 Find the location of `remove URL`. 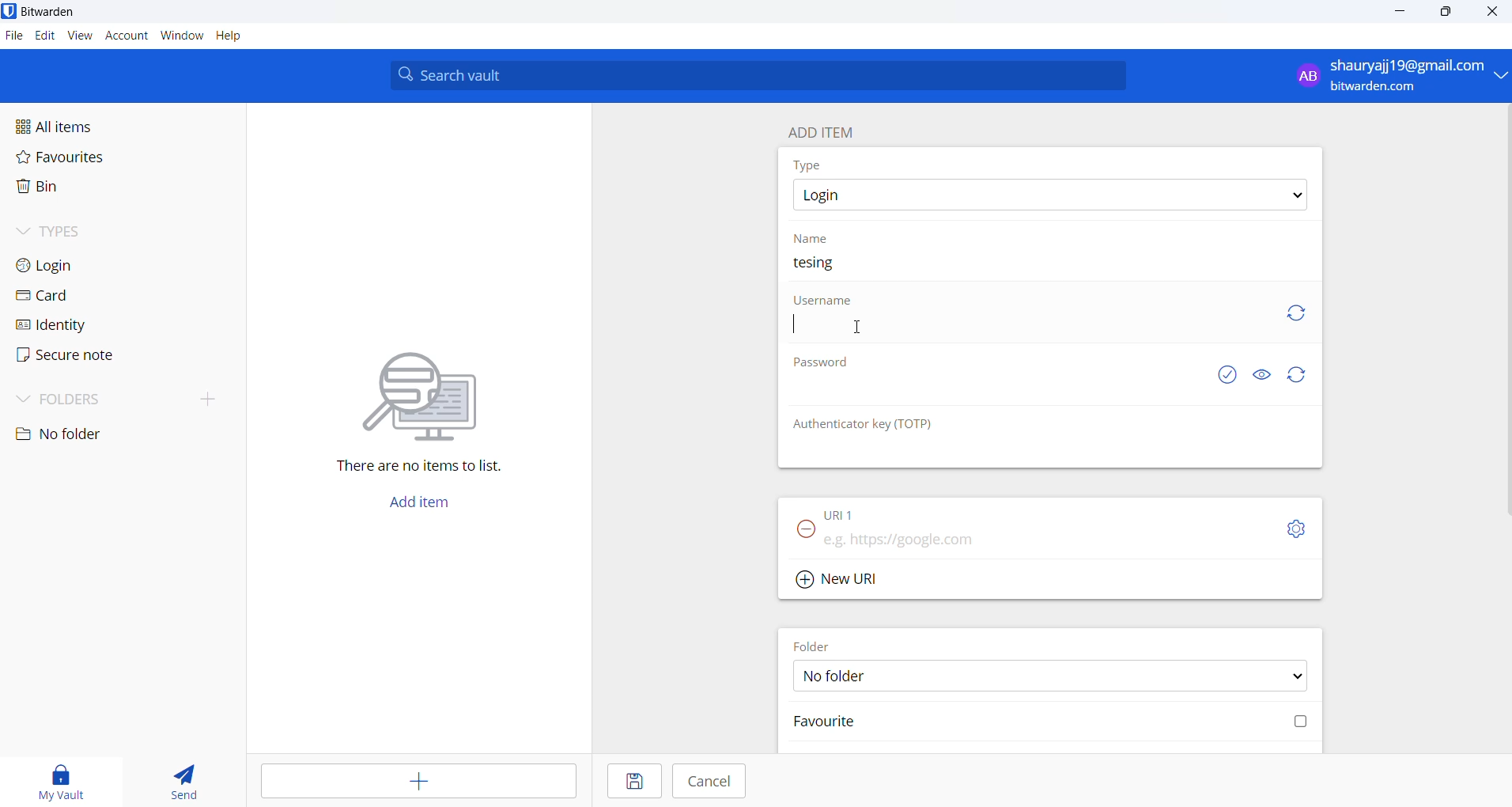

remove URL is located at coordinates (807, 534).